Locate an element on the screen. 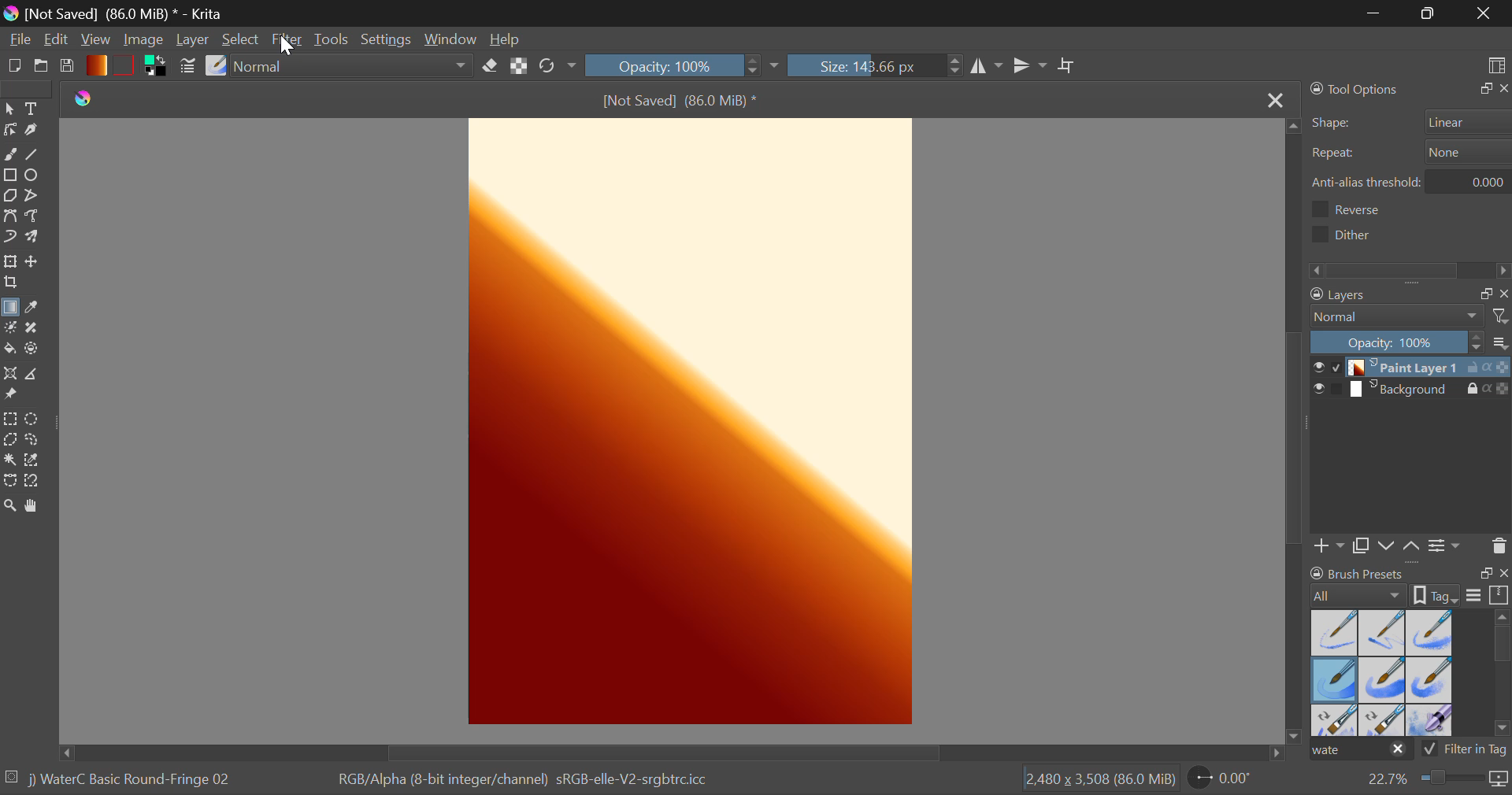 The height and width of the screenshot is (795, 1512). Freehand Selection is located at coordinates (36, 442).